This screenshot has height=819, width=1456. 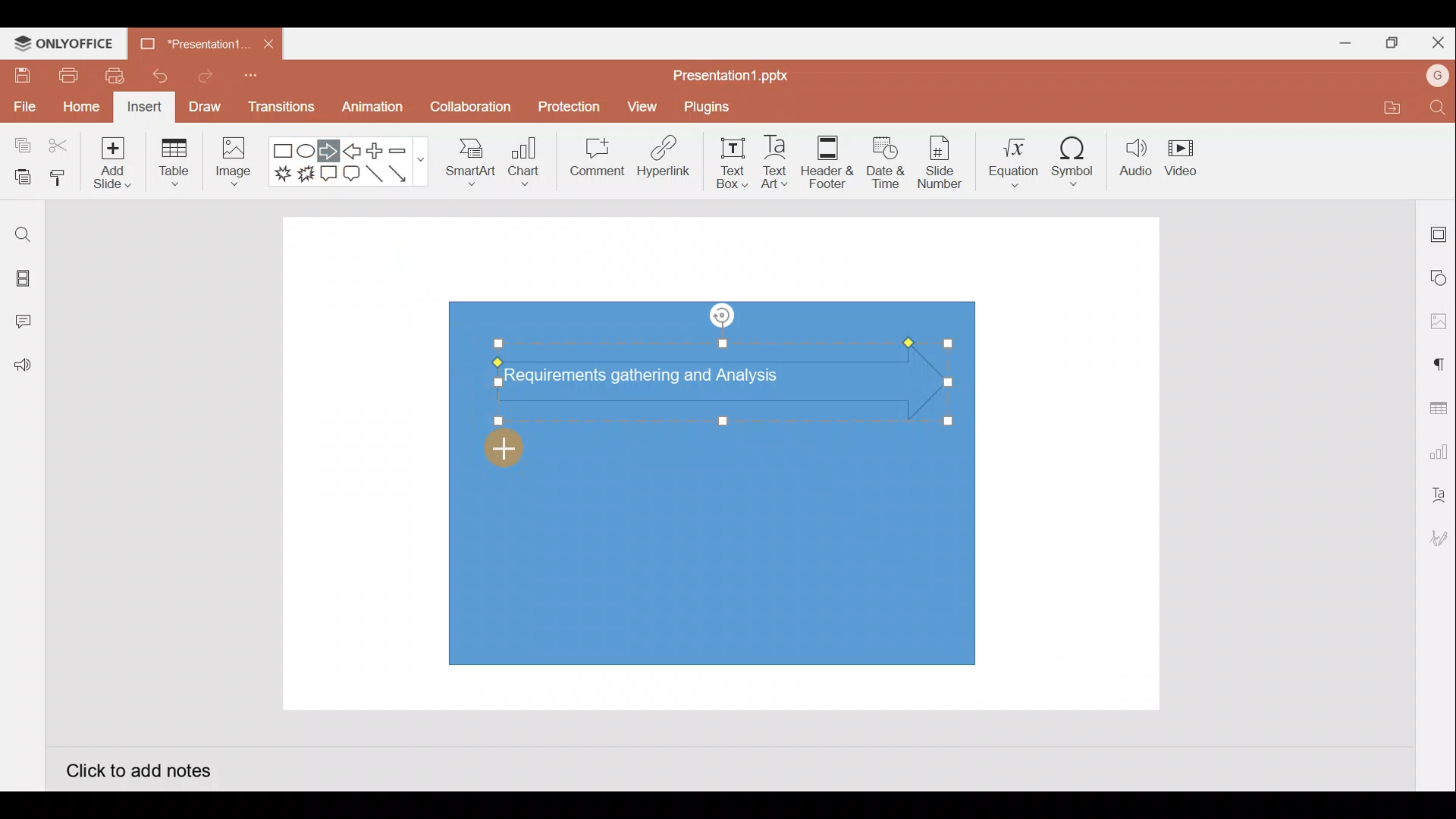 I want to click on ONLYOFFICE, so click(x=64, y=43).